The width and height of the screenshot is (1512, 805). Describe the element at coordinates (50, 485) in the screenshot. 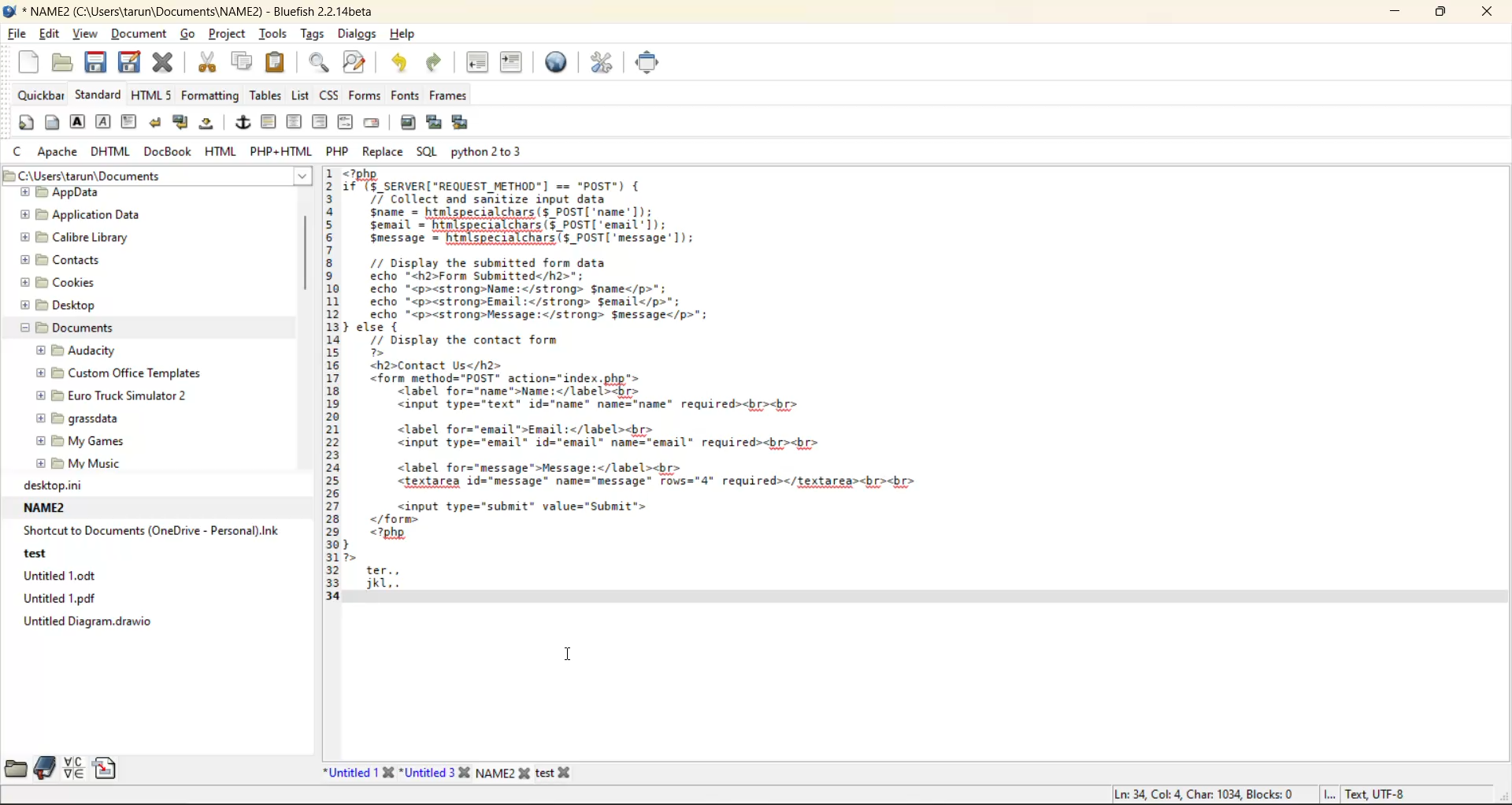

I see `desktop.ini` at that location.